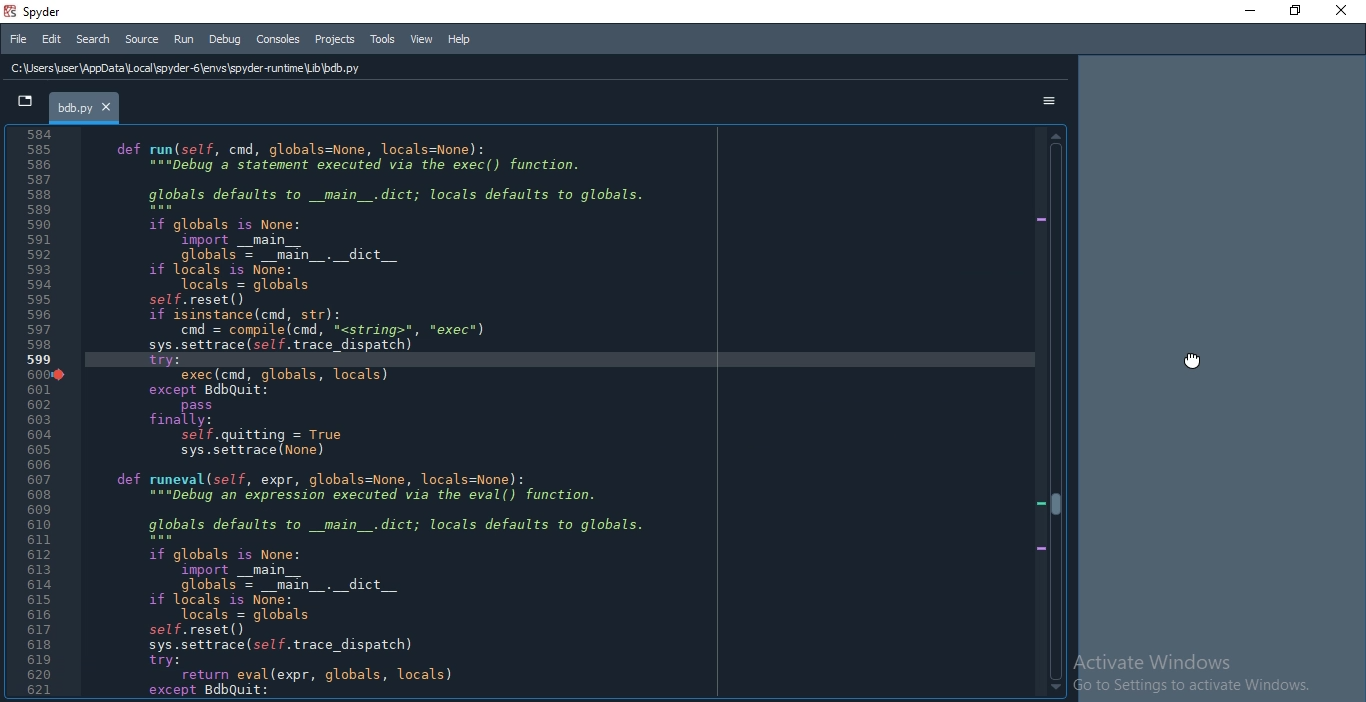 The height and width of the screenshot is (702, 1366). What do you see at coordinates (1248, 13) in the screenshot?
I see `minimise` at bounding box center [1248, 13].